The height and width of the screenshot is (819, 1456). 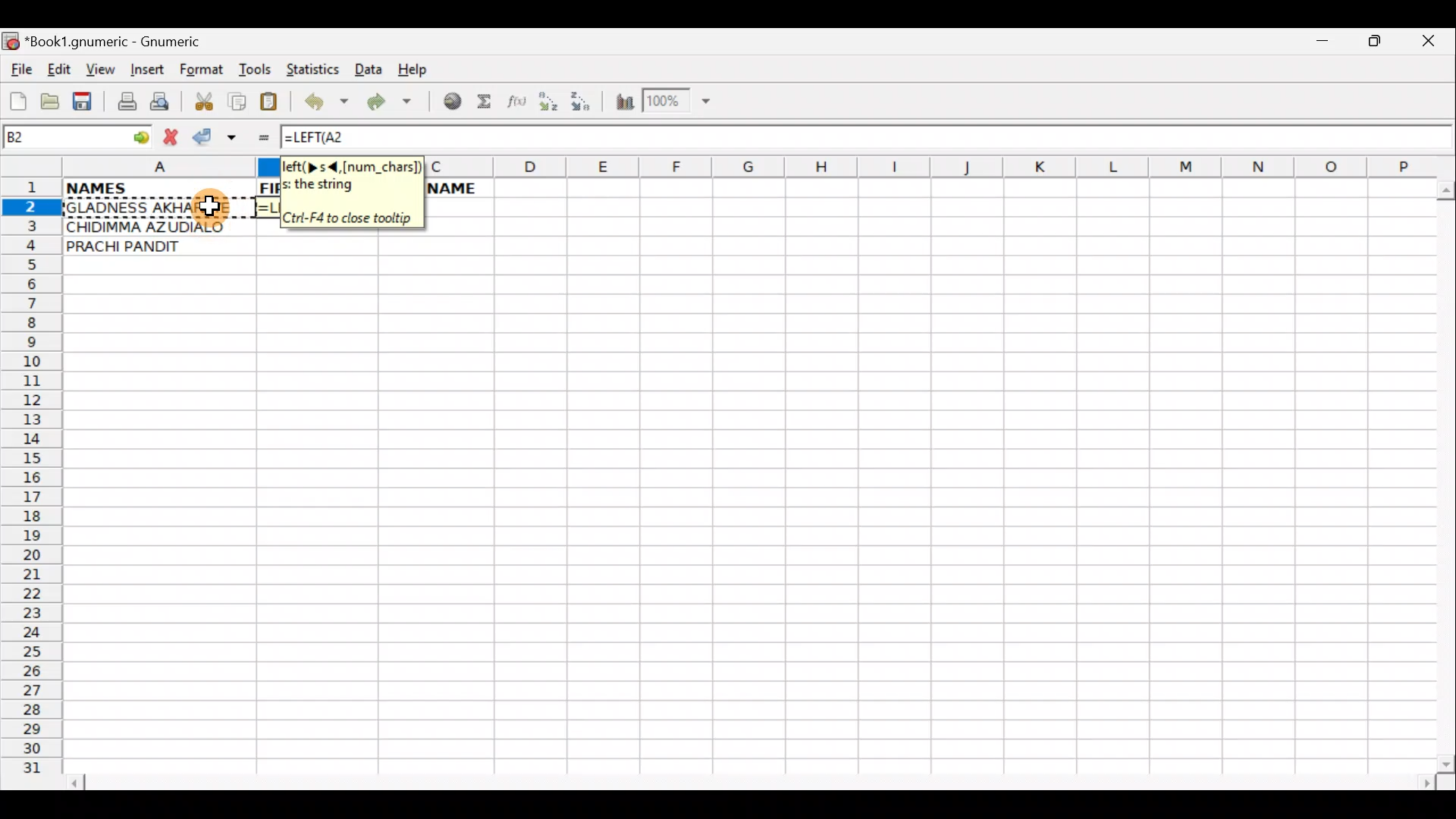 I want to click on Edit, so click(x=58, y=69).